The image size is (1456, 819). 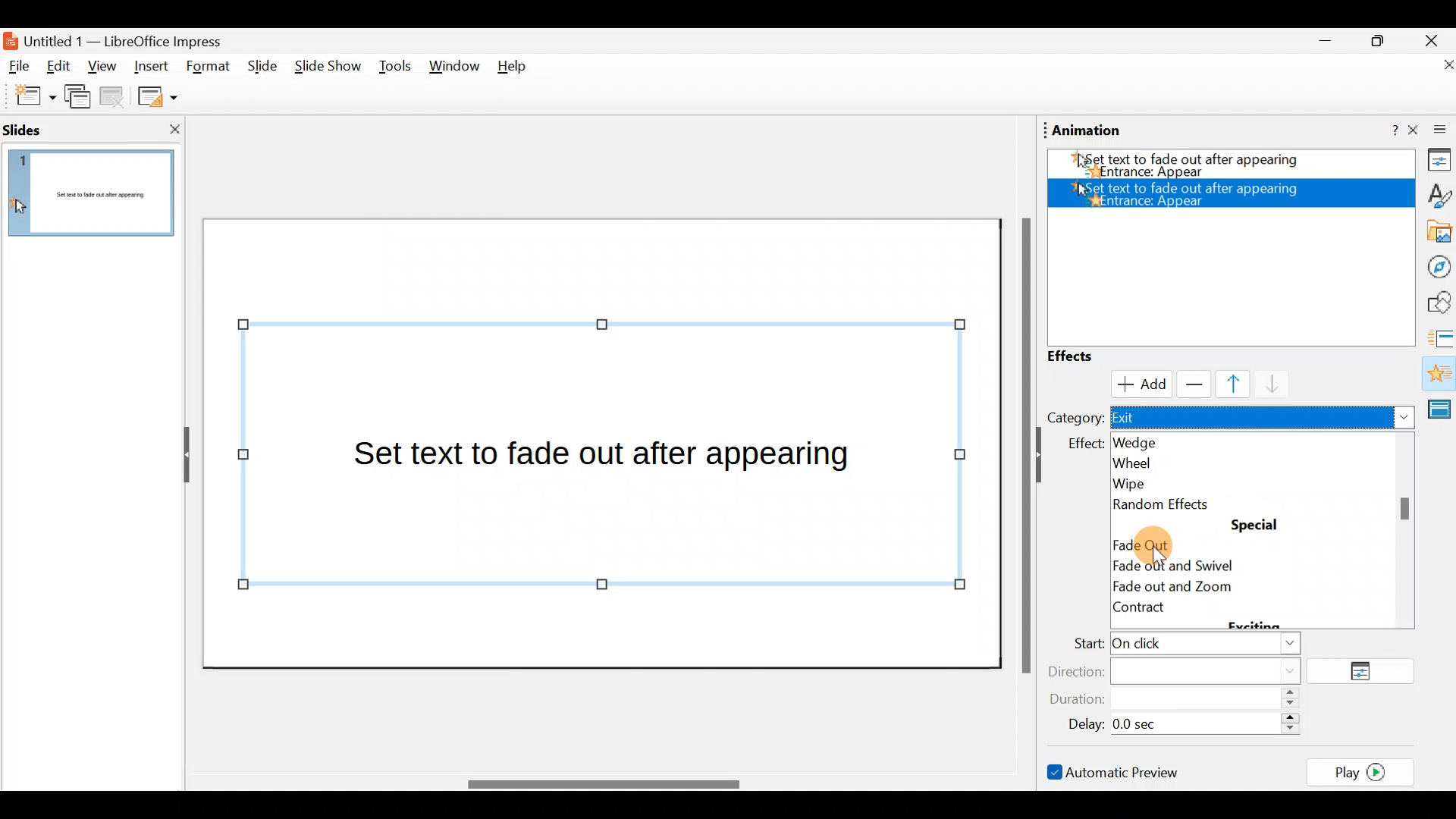 I want to click on Options, so click(x=1367, y=672).